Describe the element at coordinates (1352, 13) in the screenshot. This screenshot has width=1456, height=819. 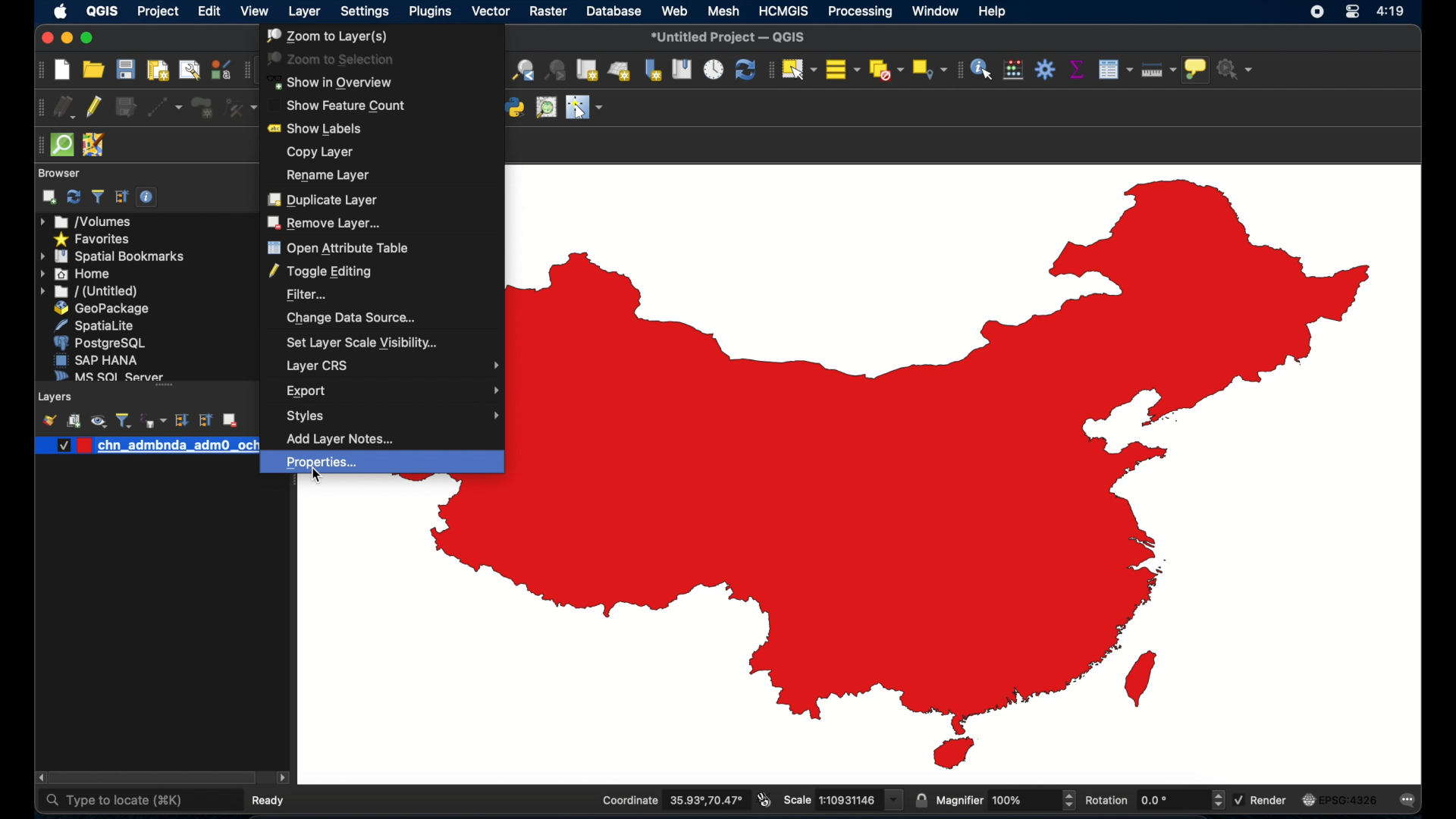
I see `control center` at that location.